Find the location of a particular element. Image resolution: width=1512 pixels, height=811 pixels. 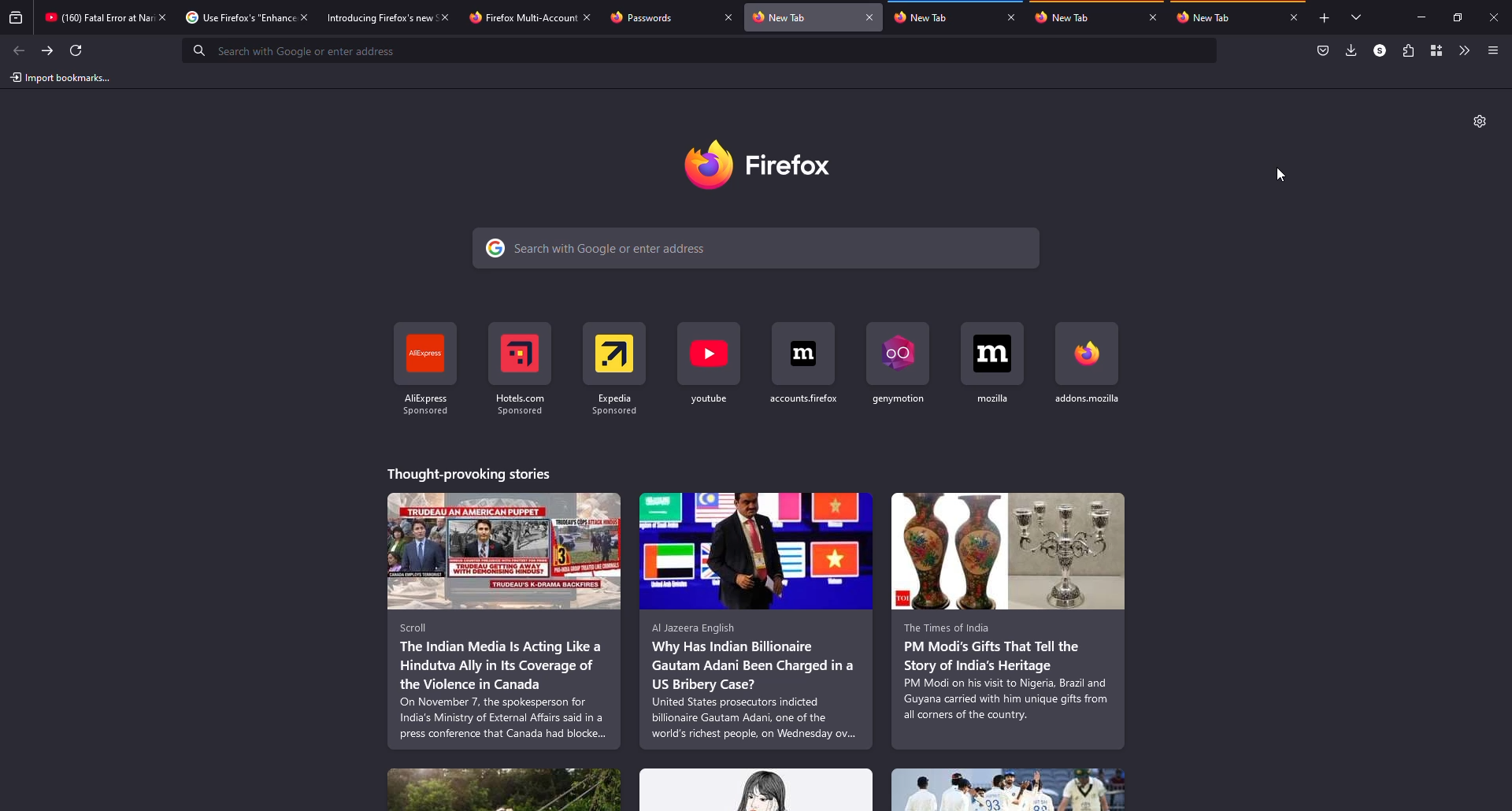

shortcut is located at coordinates (1087, 365).